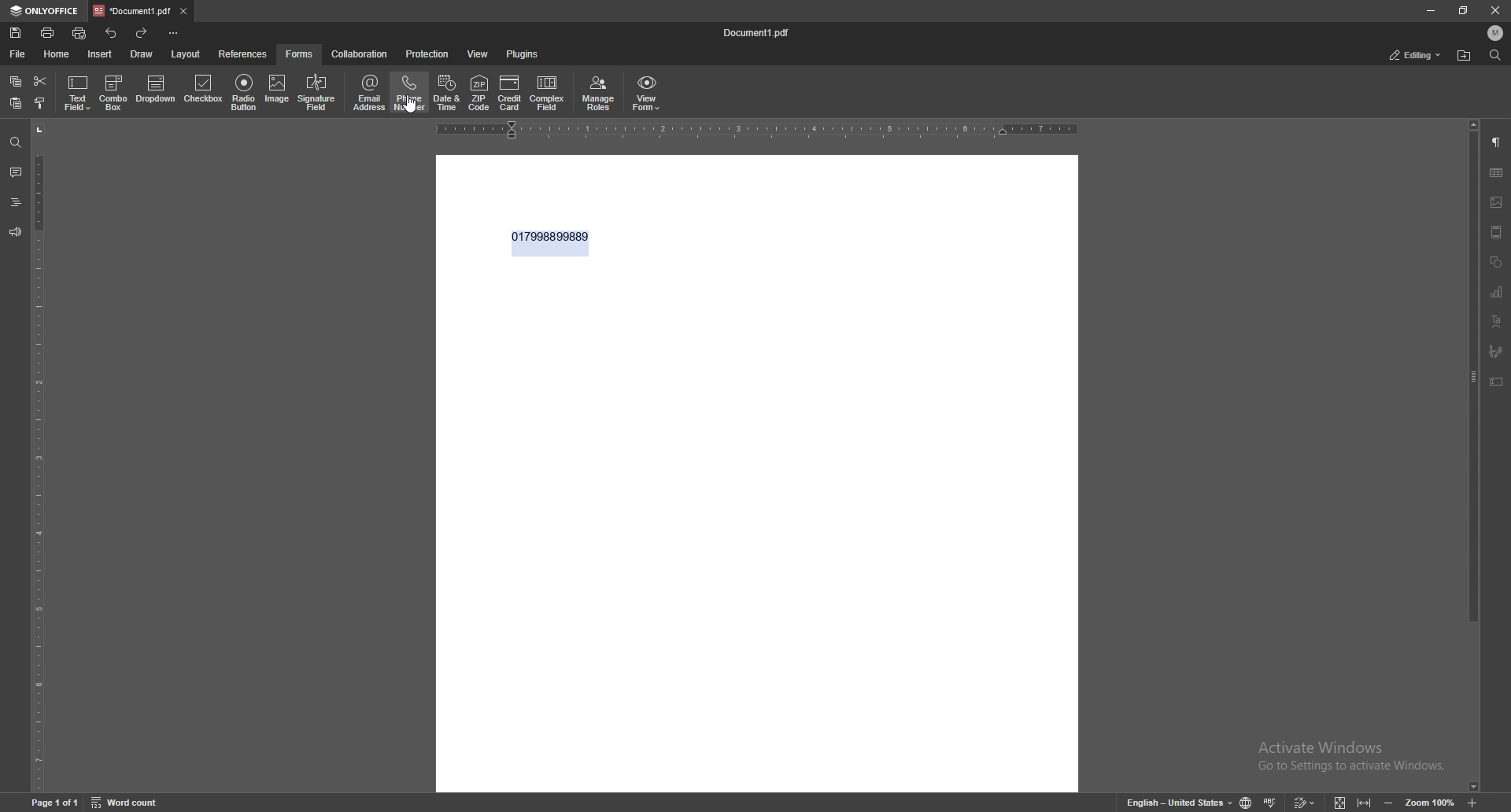  I want to click on paste, so click(16, 103).